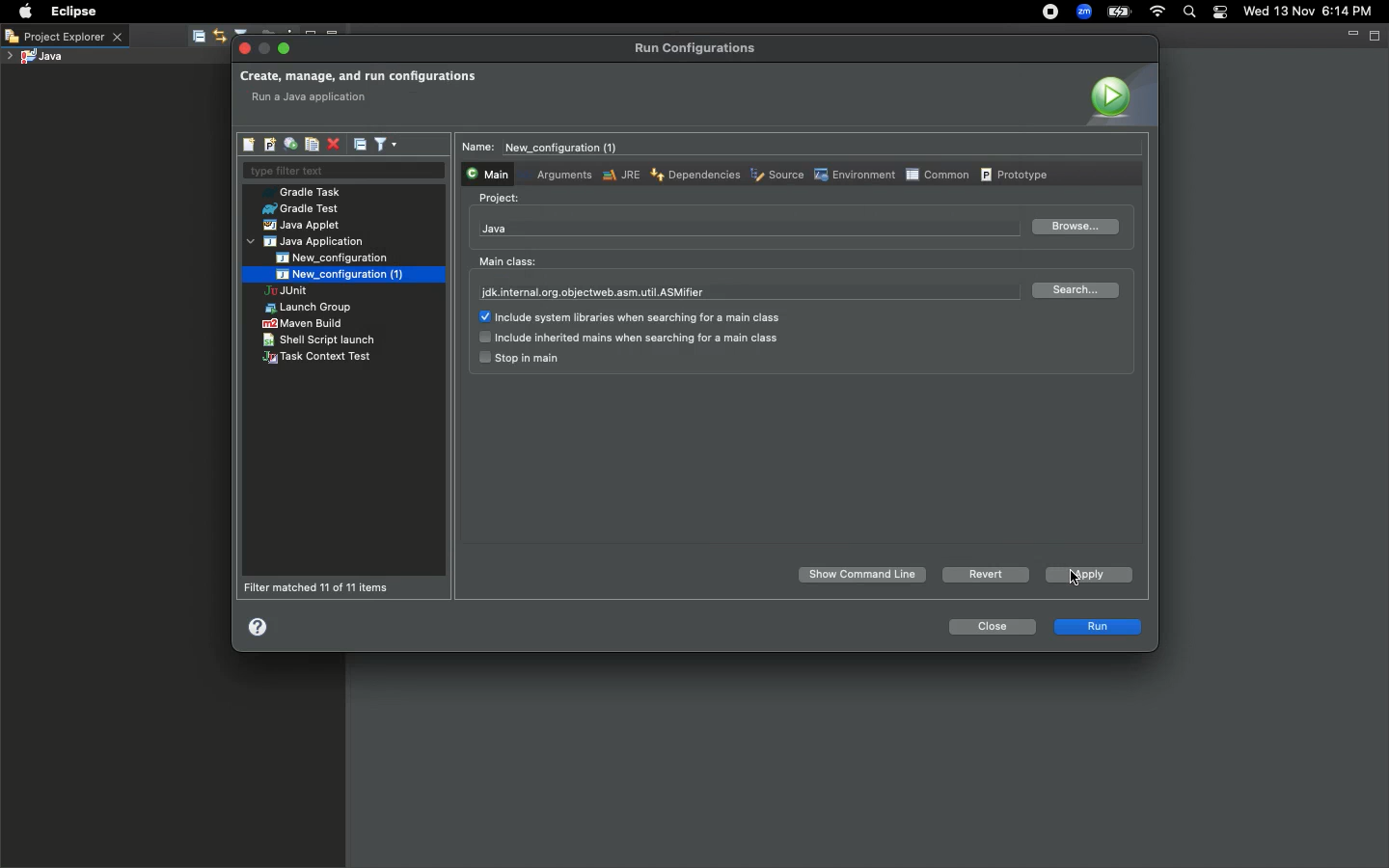 The width and height of the screenshot is (1389, 868). I want to click on Clicking on apply, so click(1087, 577).